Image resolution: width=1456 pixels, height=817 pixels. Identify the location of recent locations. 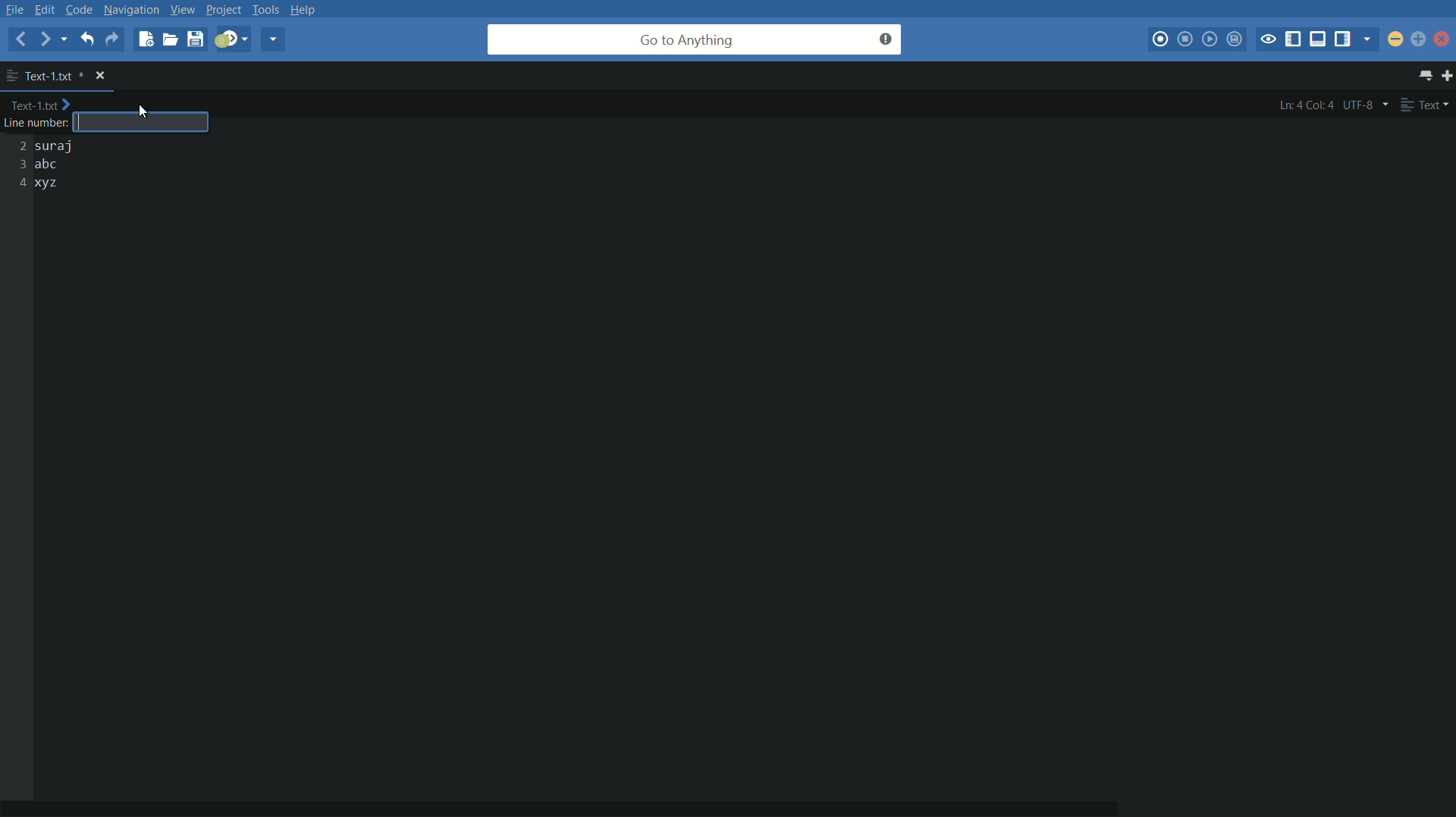
(68, 41).